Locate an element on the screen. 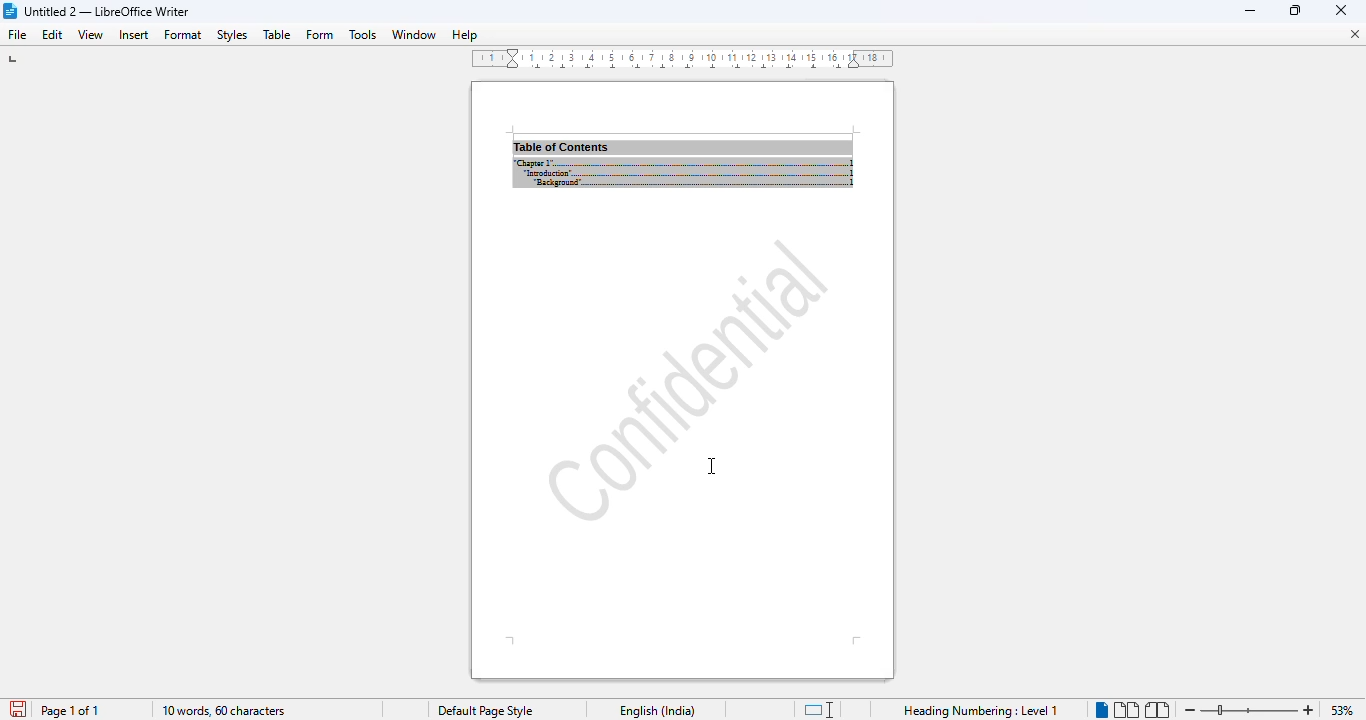  single-page view is located at coordinates (1101, 710).